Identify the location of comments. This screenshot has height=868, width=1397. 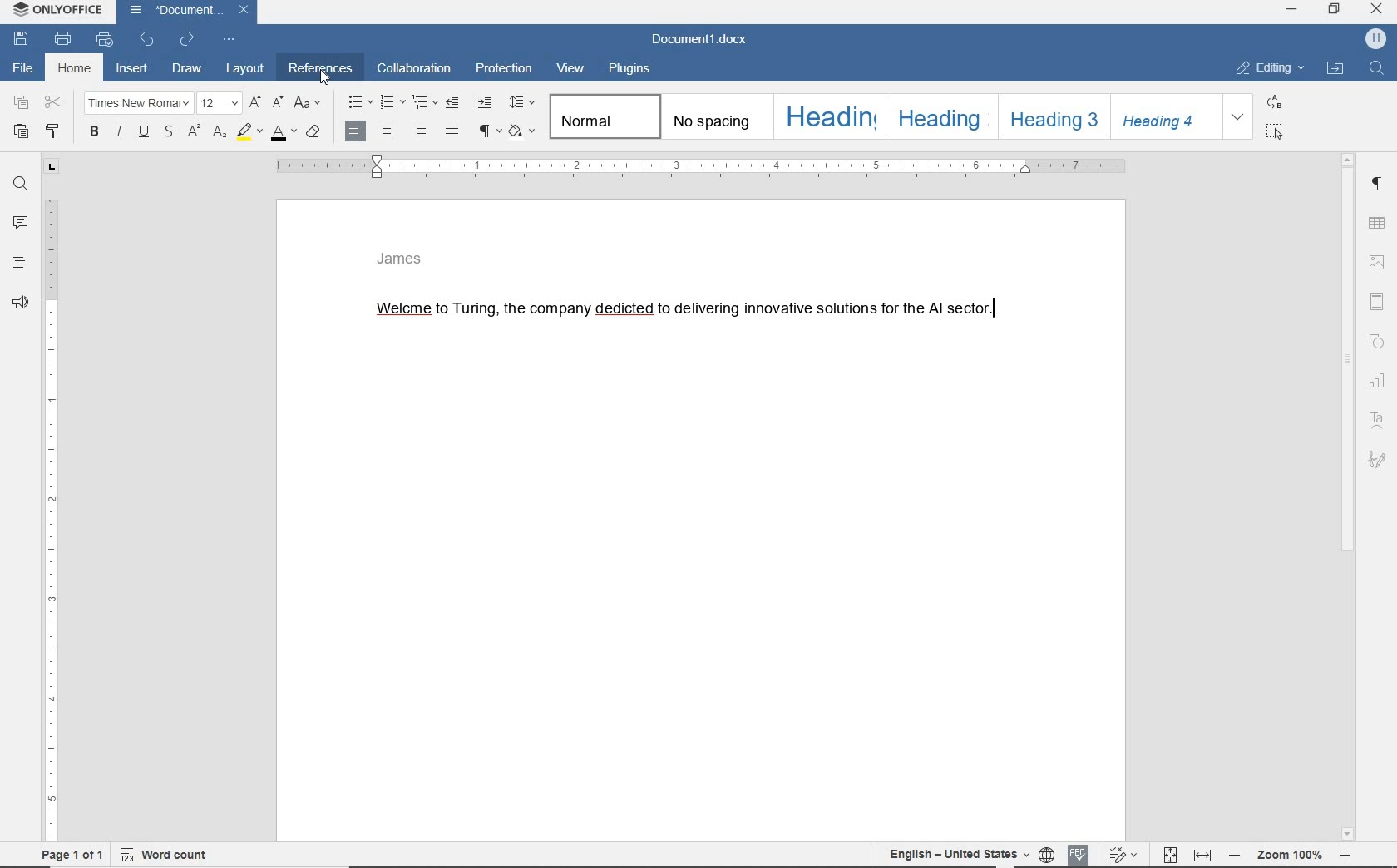
(19, 220).